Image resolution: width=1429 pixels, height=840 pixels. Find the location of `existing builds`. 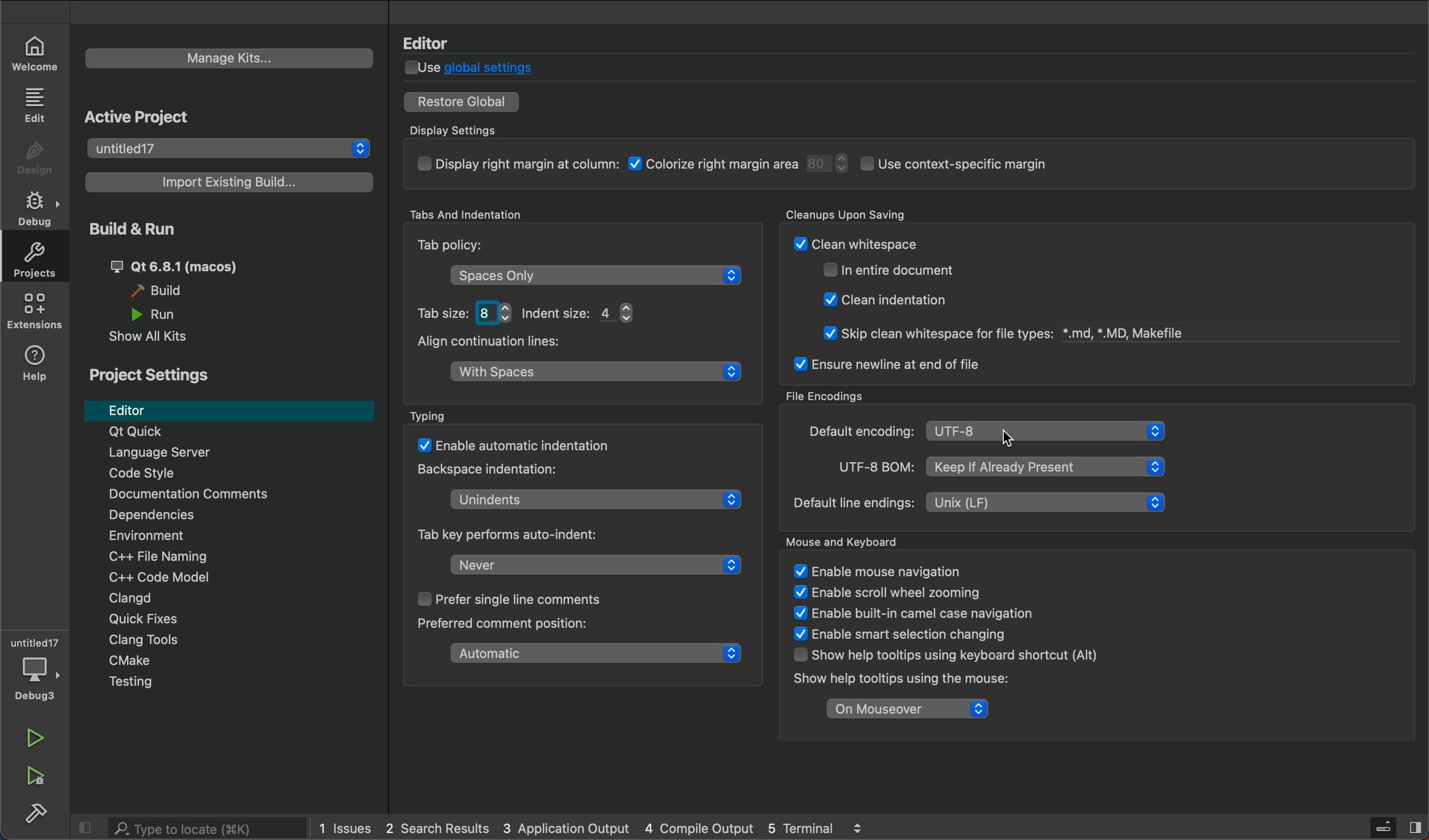

existing builds is located at coordinates (225, 181).